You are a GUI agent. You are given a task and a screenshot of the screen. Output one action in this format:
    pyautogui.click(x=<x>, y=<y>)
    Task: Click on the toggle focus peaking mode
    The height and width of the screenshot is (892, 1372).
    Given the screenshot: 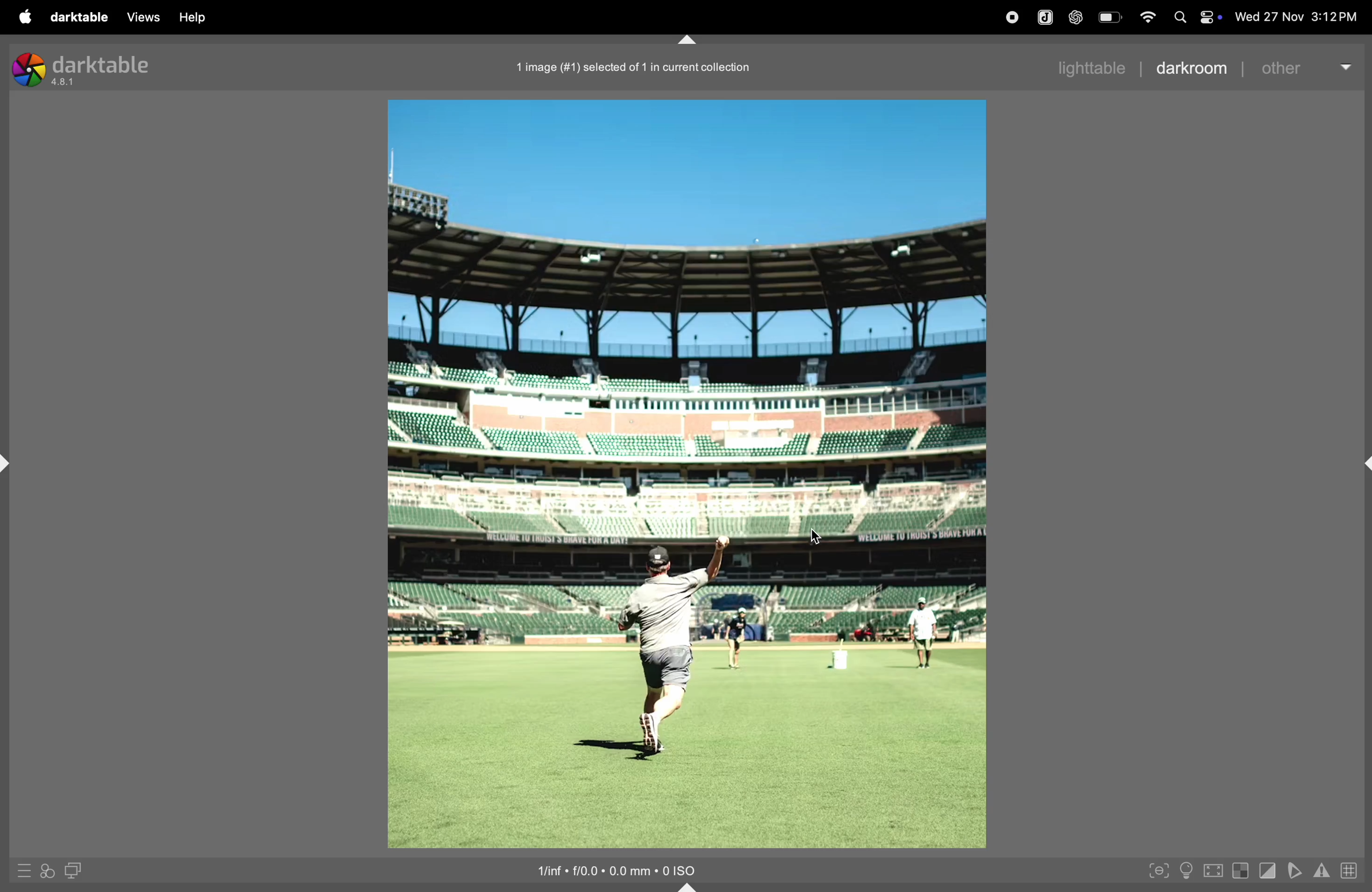 What is the action you would take?
    pyautogui.click(x=1159, y=869)
    